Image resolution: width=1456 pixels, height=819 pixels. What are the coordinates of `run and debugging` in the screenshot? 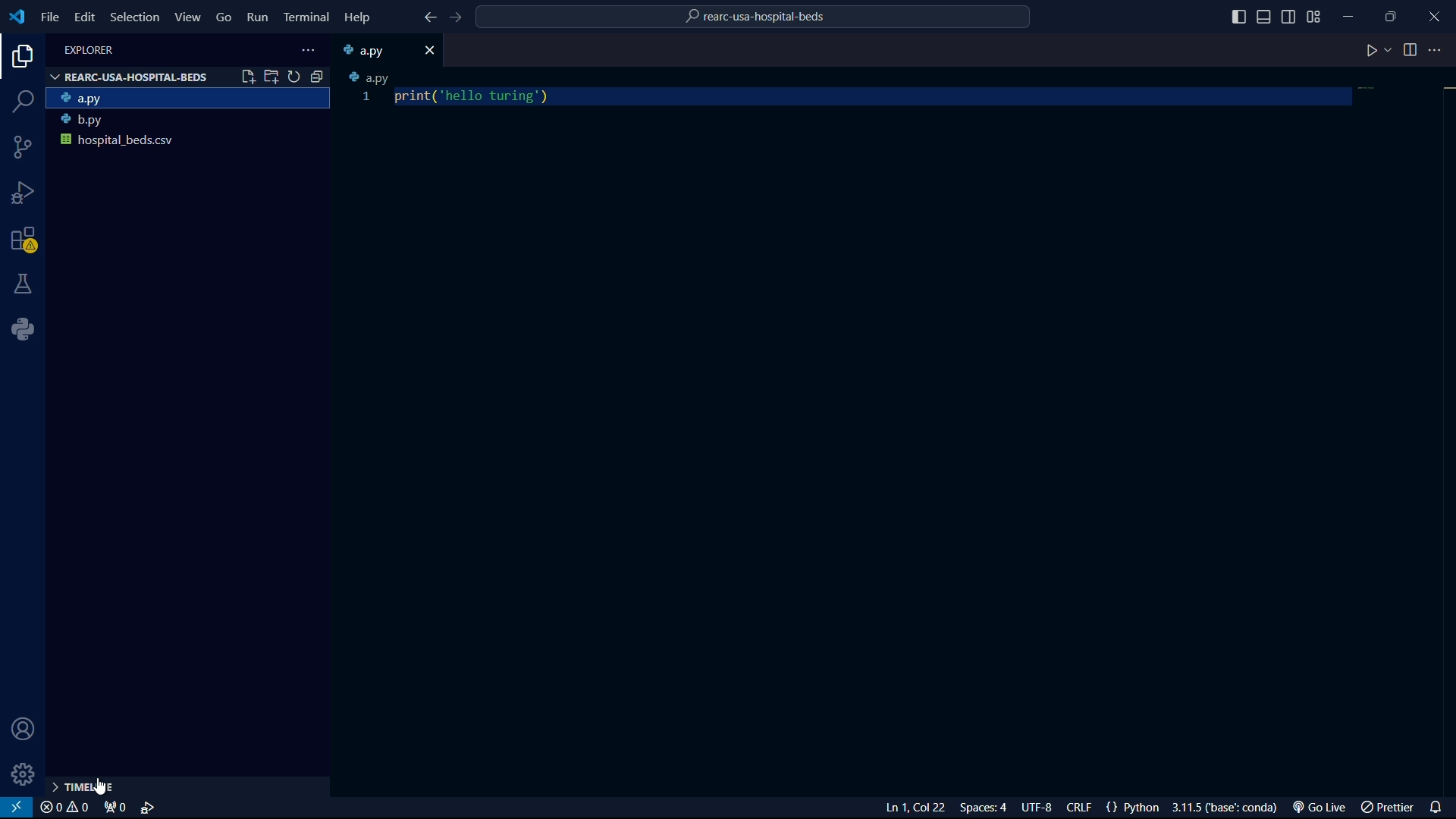 It's located at (25, 195).